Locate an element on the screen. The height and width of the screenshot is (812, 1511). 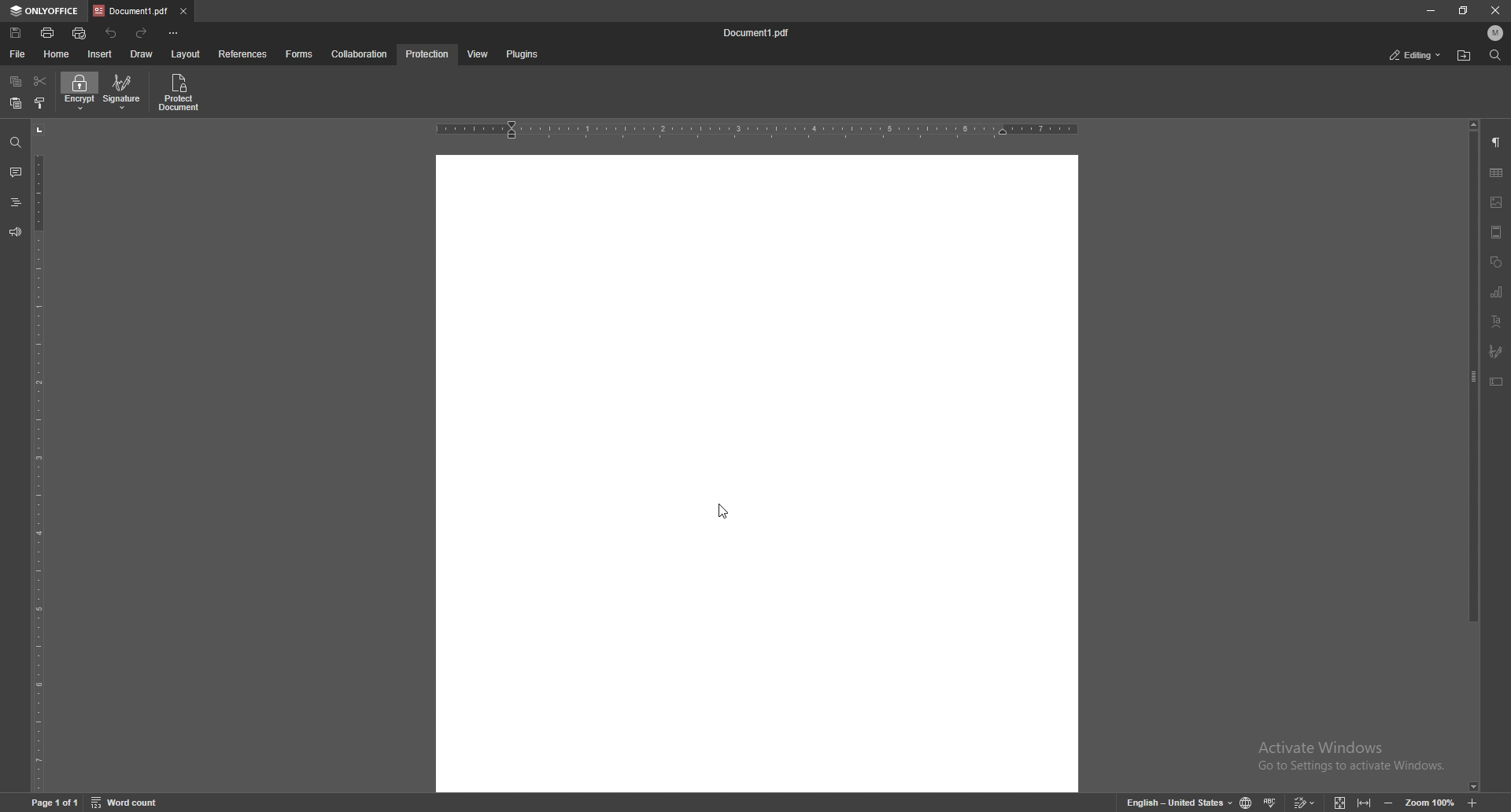
home is located at coordinates (56, 54).